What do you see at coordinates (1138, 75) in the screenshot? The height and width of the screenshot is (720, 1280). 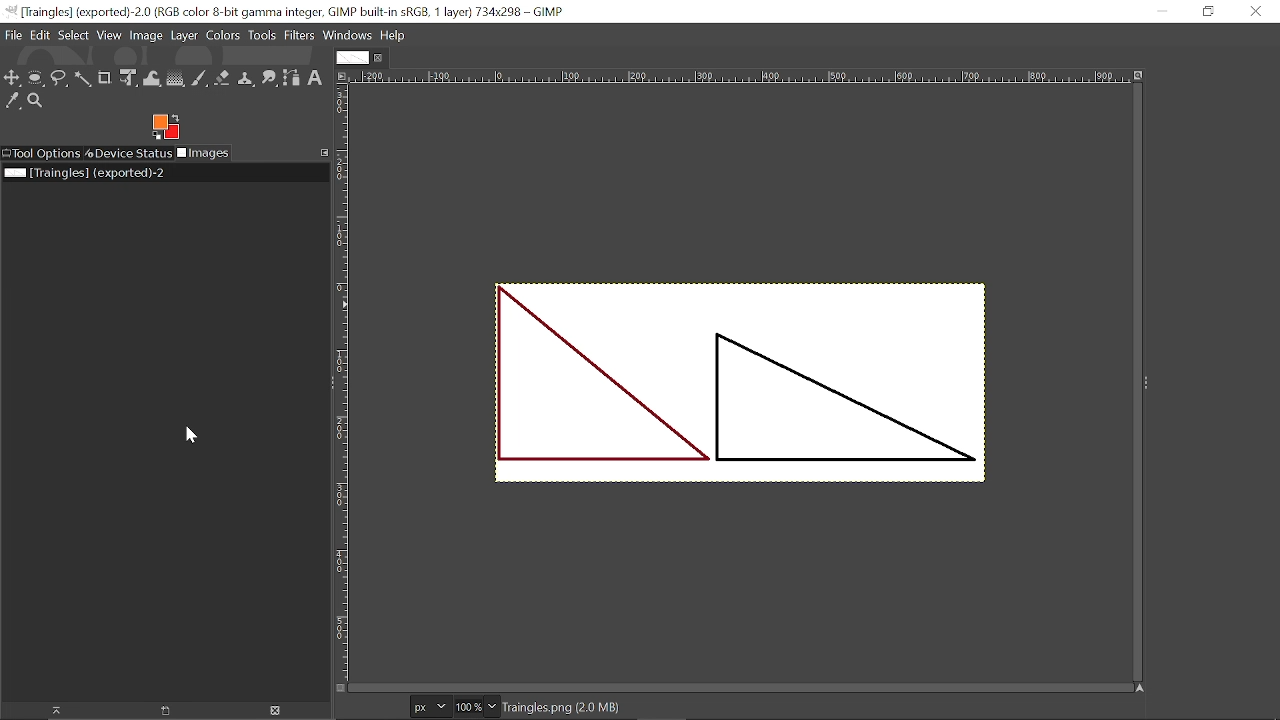 I see `Zoom image when window size changes` at bounding box center [1138, 75].